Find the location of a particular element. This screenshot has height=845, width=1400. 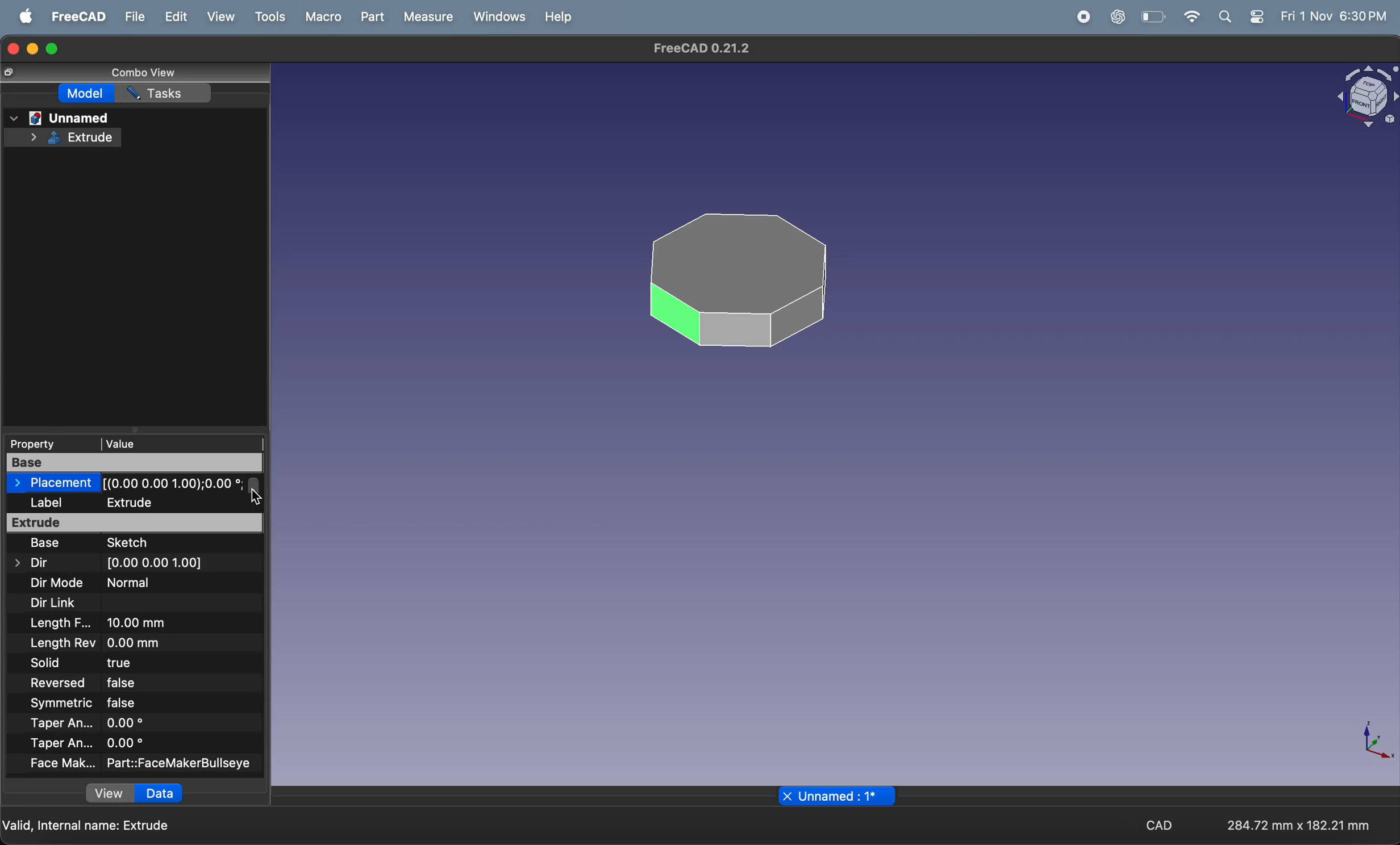

Length F...   10.00 mm is located at coordinates (99, 624).